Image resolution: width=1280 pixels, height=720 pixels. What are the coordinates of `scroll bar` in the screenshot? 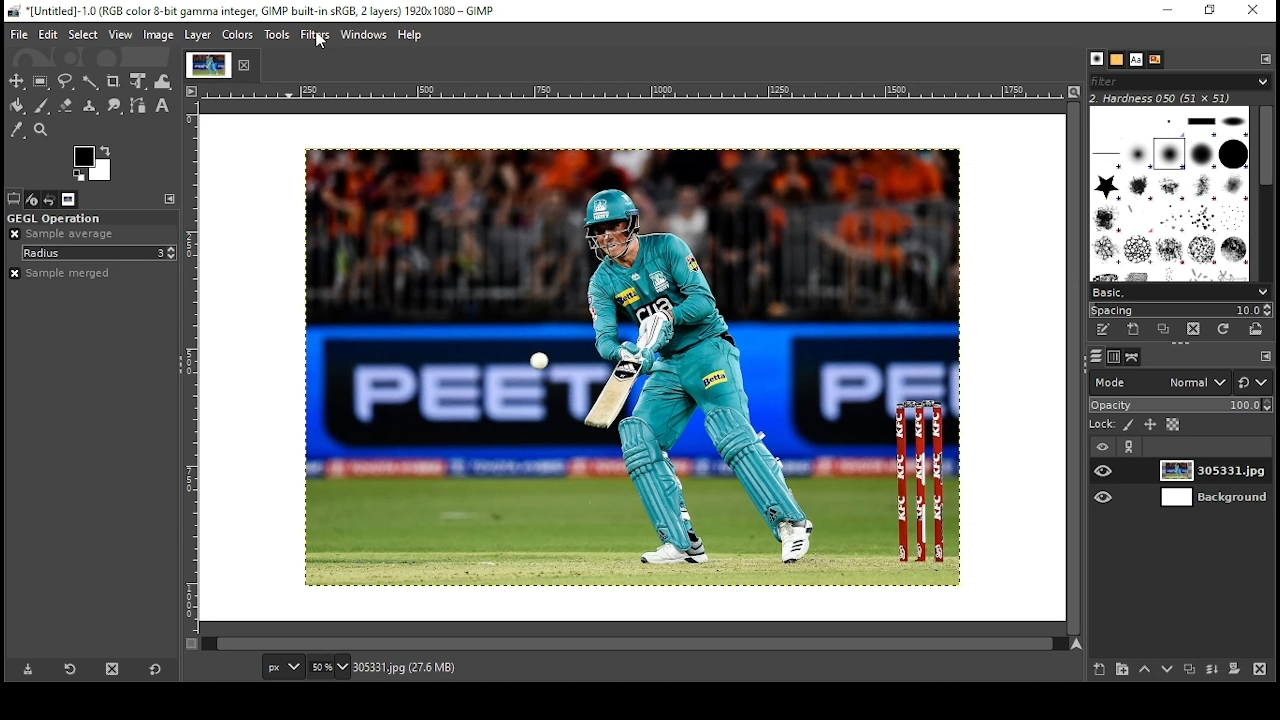 It's located at (633, 645).